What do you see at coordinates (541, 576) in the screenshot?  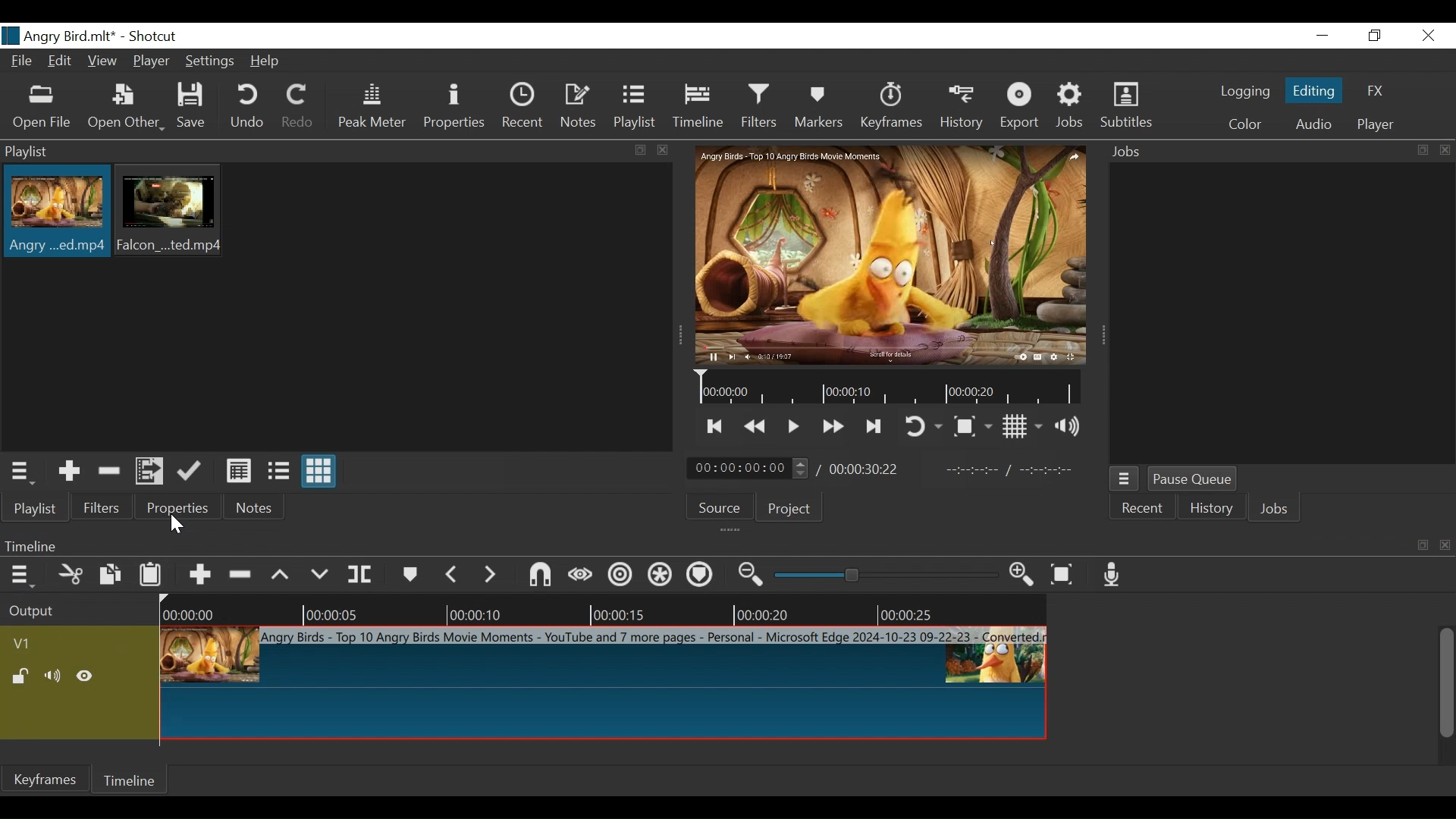 I see `Snap` at bounding box center [541, 576].